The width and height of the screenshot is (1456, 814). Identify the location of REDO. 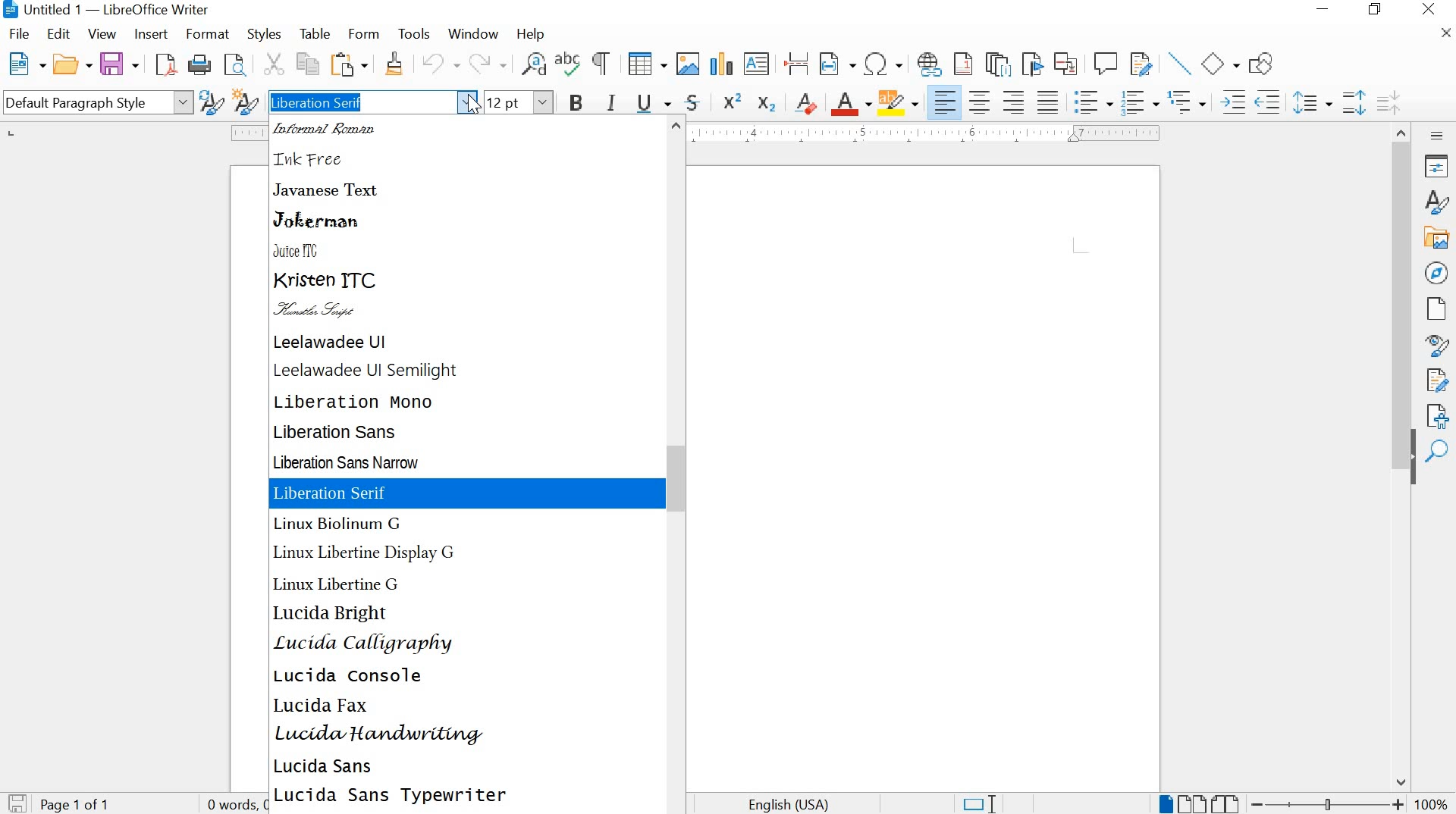
(490, 64).